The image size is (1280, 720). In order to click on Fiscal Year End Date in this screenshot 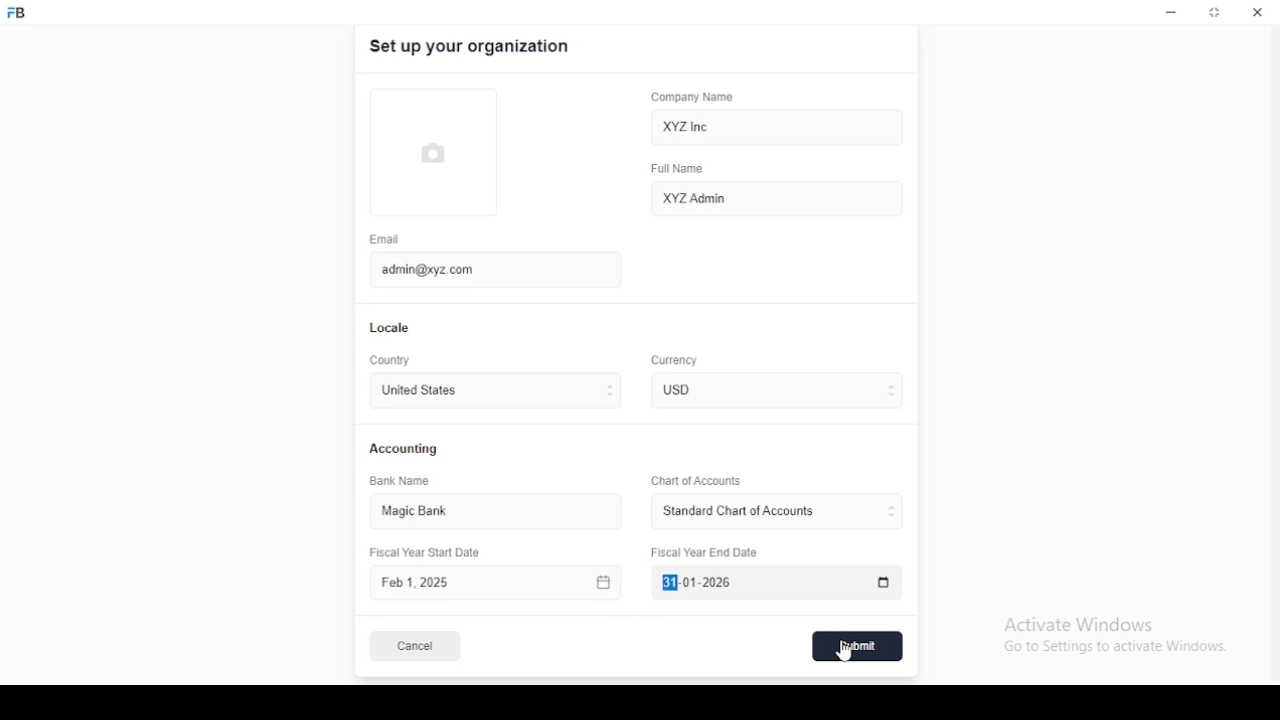, I will do `click(706, 552)`.